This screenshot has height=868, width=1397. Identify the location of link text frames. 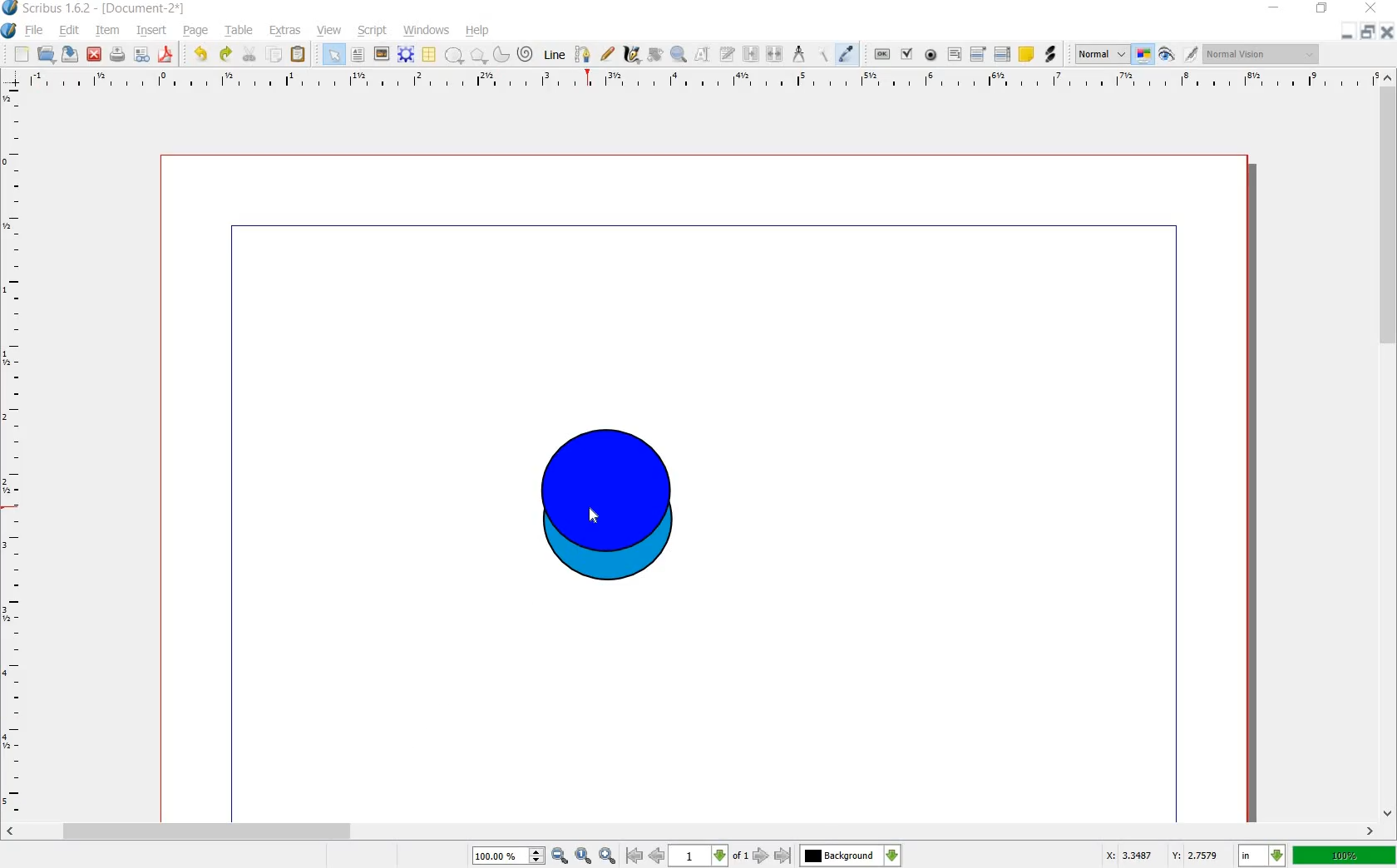
(752, 55).